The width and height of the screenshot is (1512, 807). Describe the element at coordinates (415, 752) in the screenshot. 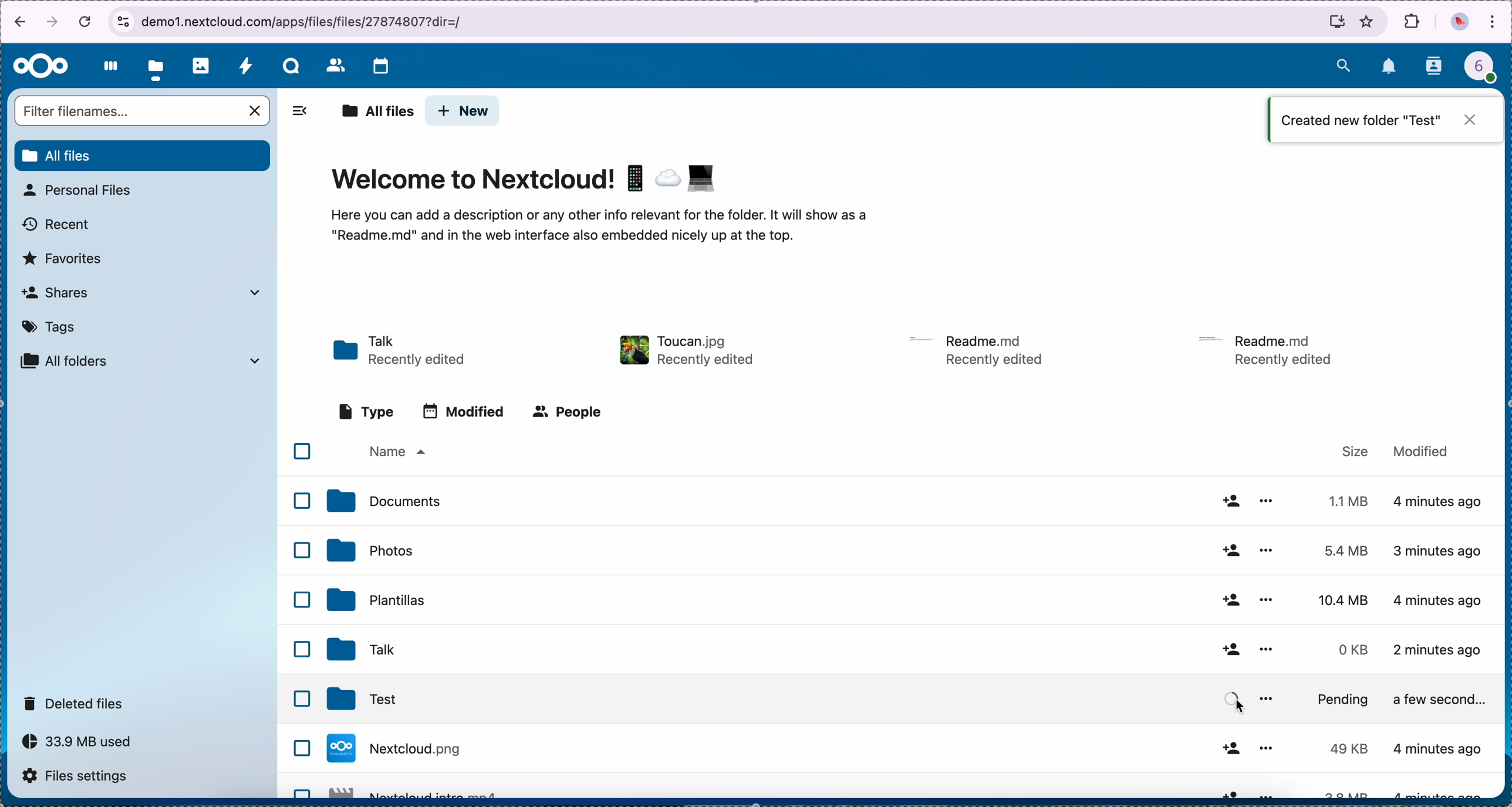

I see `Nextcloud file` at that location.